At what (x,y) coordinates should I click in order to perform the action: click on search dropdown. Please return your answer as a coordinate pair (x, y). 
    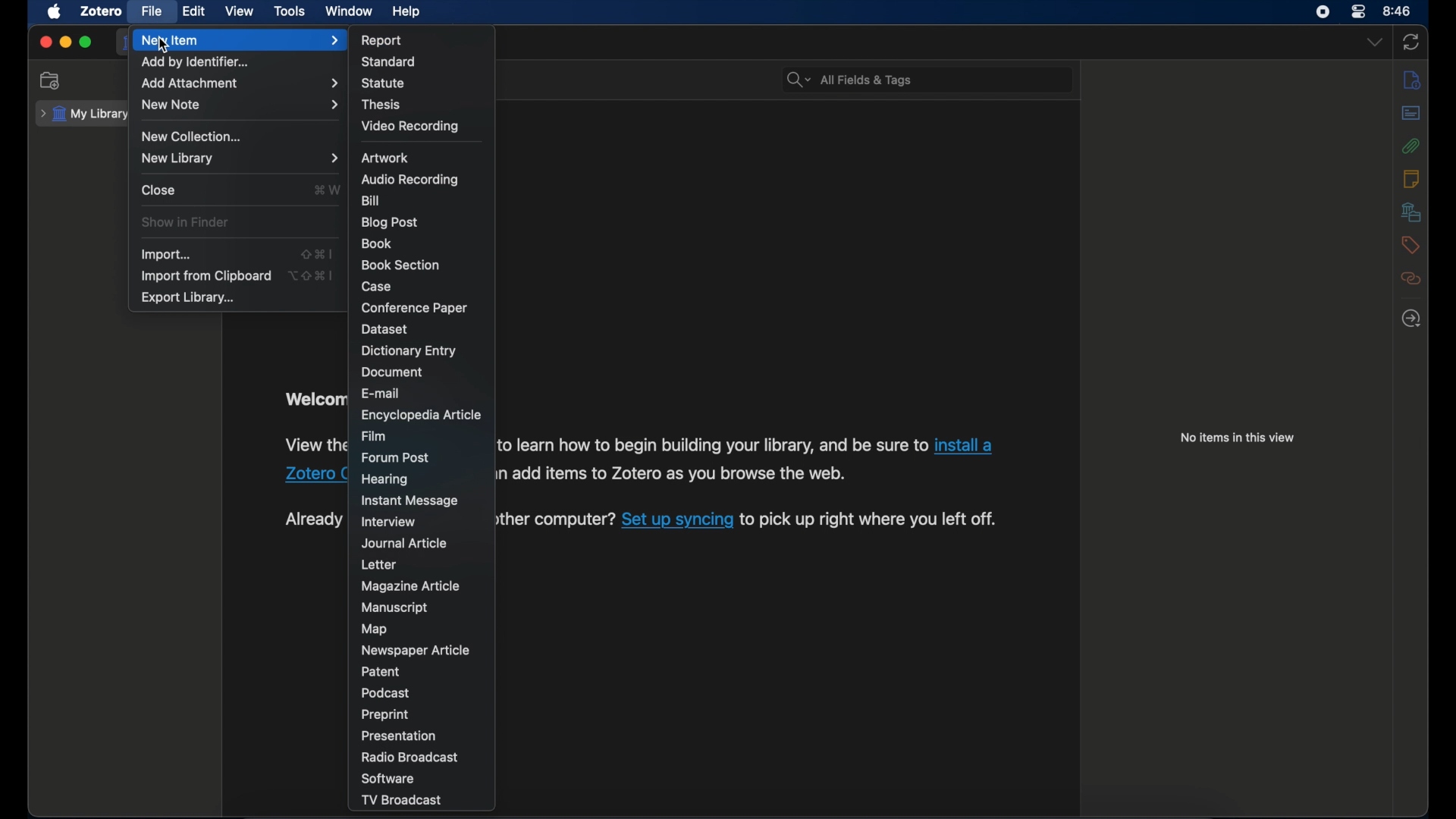
    Looking at the image, I should click on (798, 80).